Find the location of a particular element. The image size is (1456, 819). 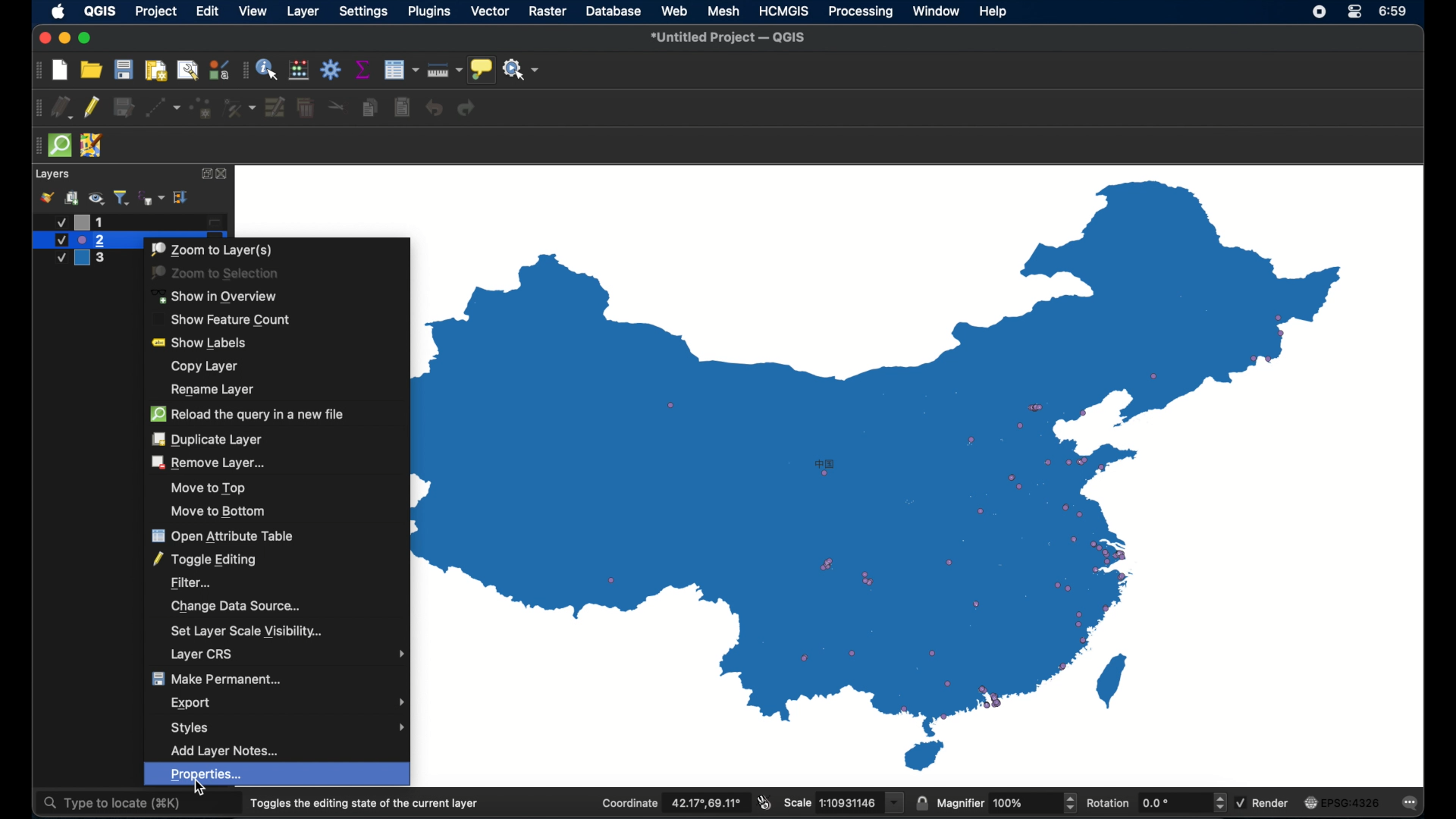

open attribute table is located at coordinates (221, 535).